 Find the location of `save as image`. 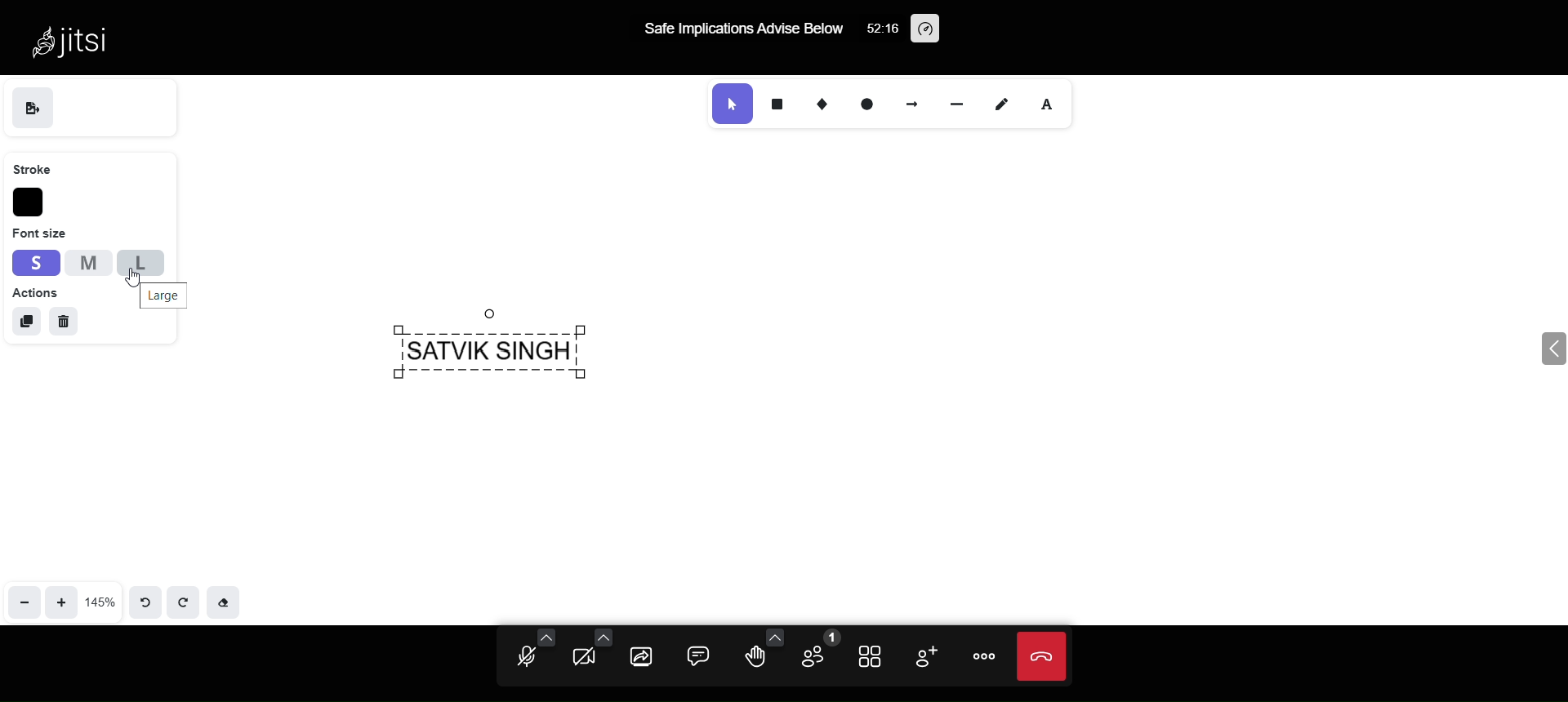

save as image is located at coordinates (33, 108).